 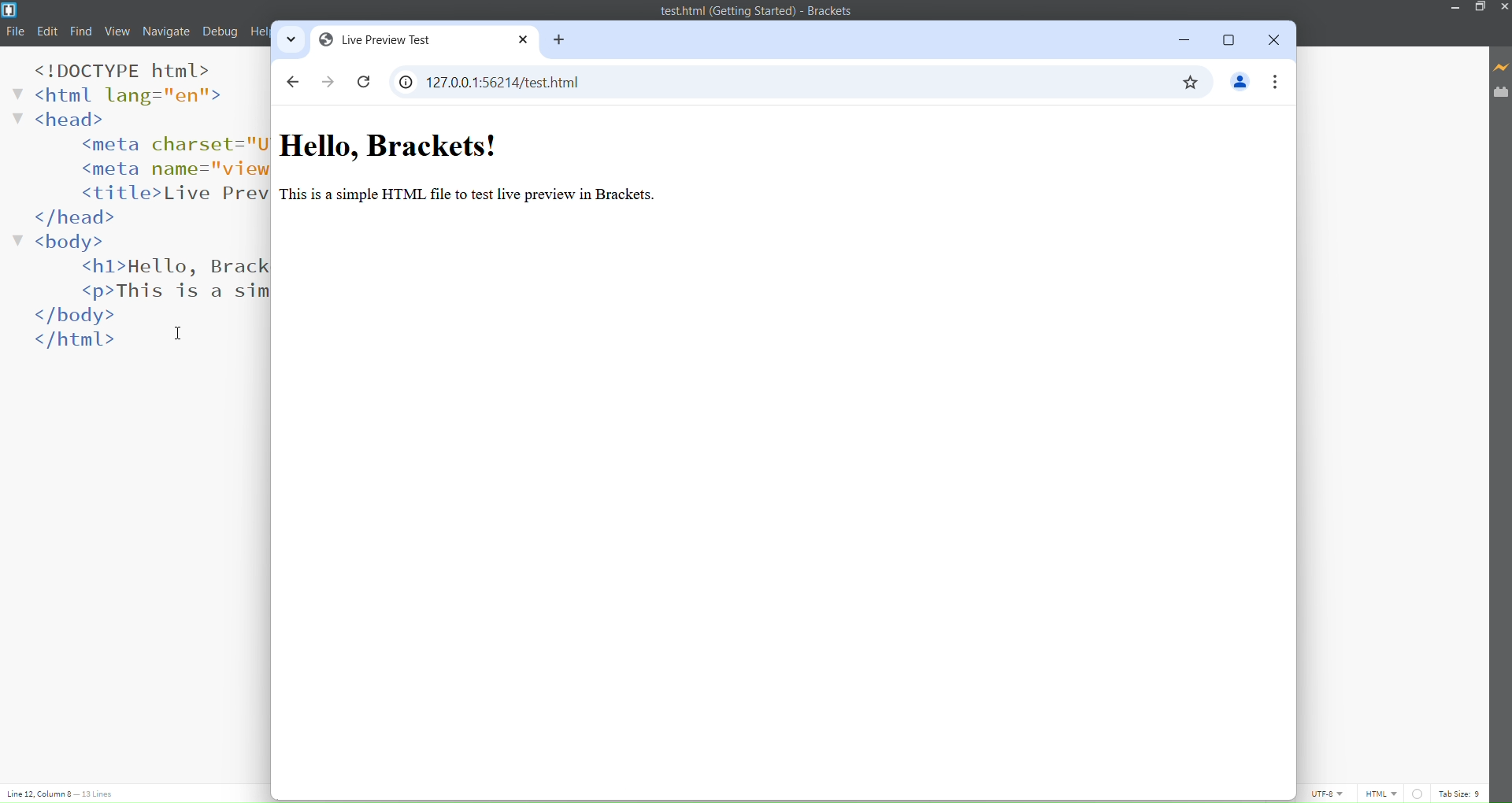 What do you see at coordinates (1478, 7) in the screenshot?
I see `Maximize` at bounding box center [1478, 7].